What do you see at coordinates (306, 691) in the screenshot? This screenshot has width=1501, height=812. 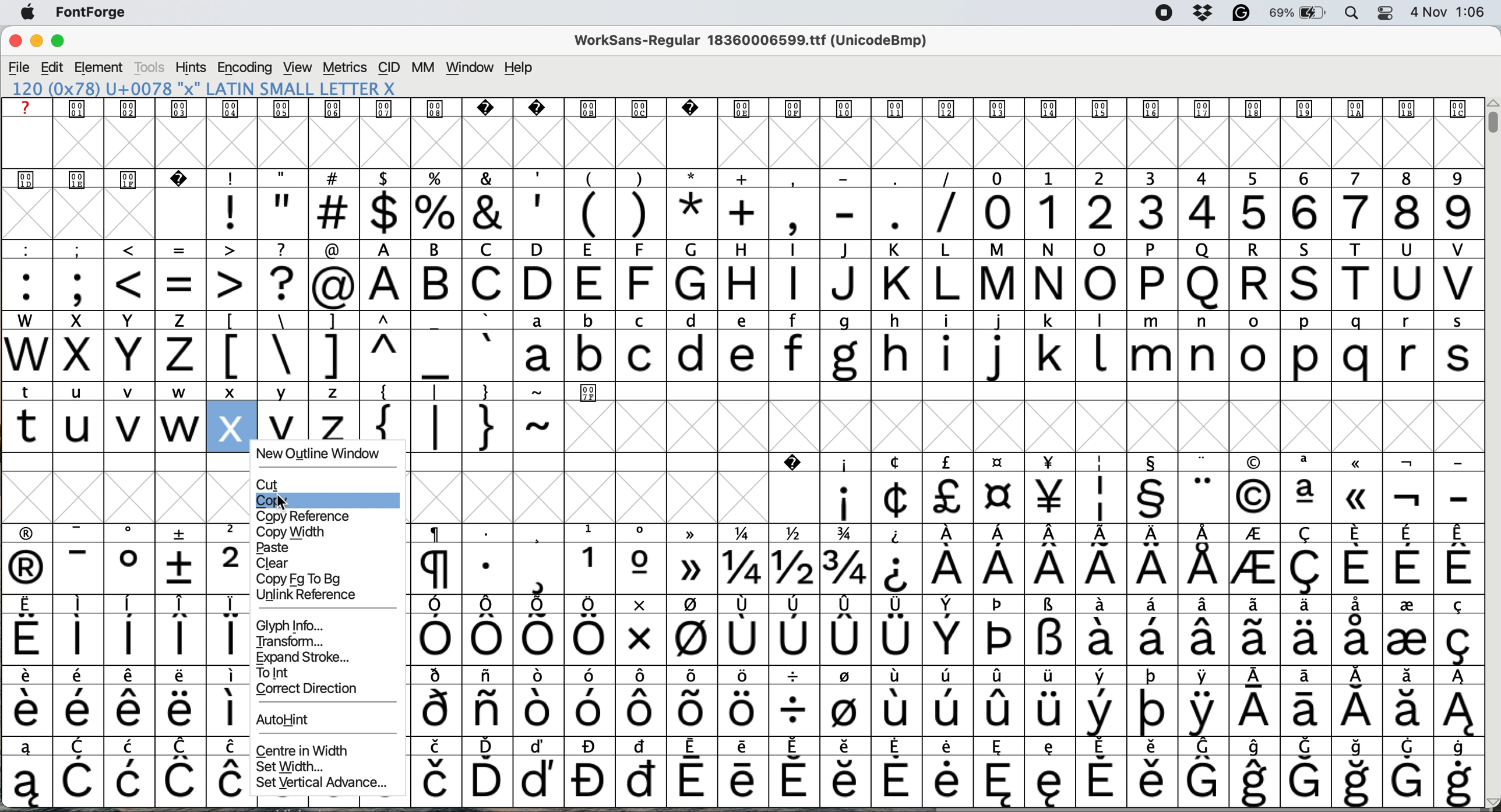 I see `correct direction` at bounding box center [306, 691].